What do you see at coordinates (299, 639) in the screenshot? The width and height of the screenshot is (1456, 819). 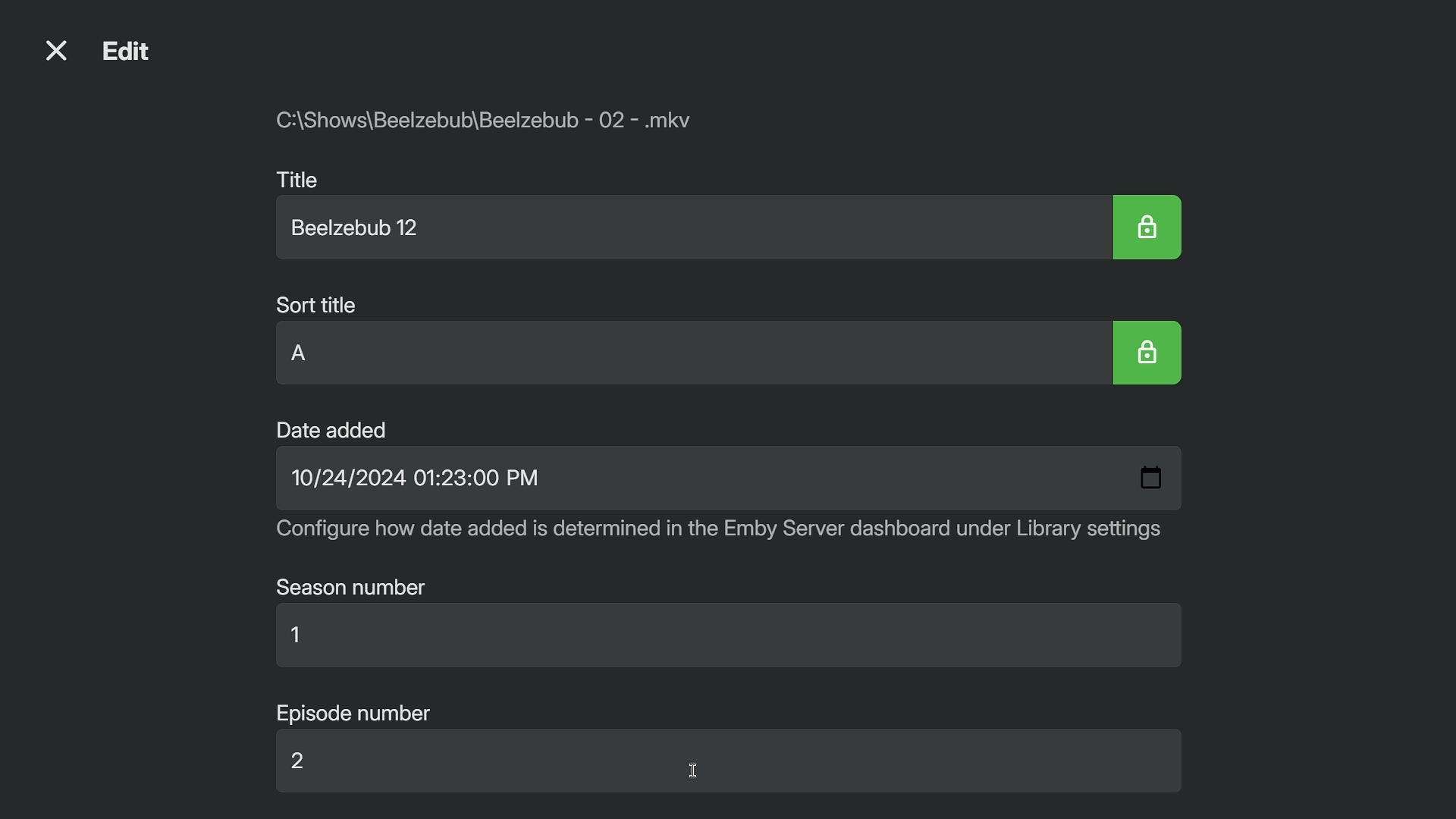 I see `1` at bounding box center [299, 639].